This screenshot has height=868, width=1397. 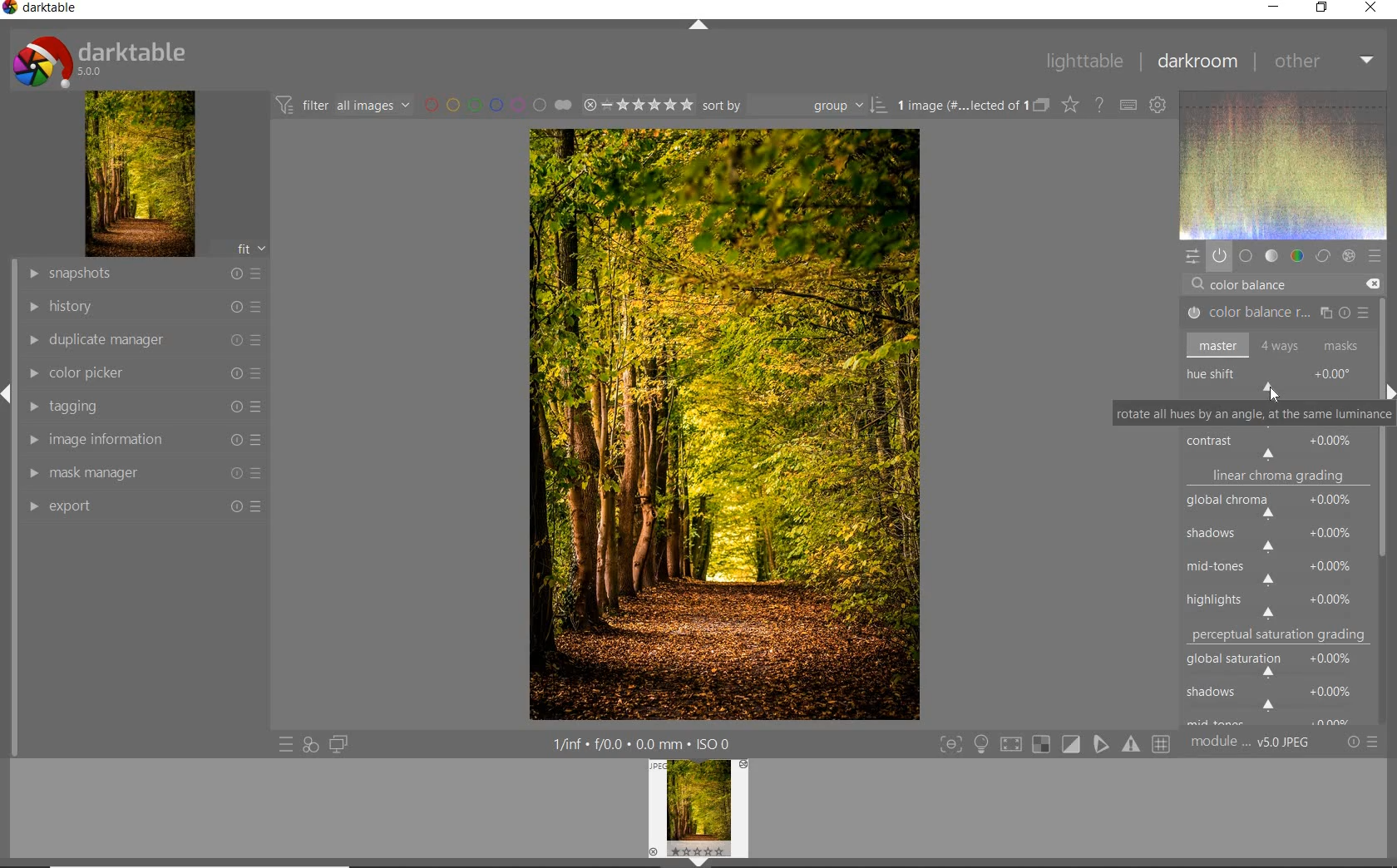 What do you see at coordinates (496, 105) in the screenshot?
I see `filter by image color label` at bounding box center [496, 105].